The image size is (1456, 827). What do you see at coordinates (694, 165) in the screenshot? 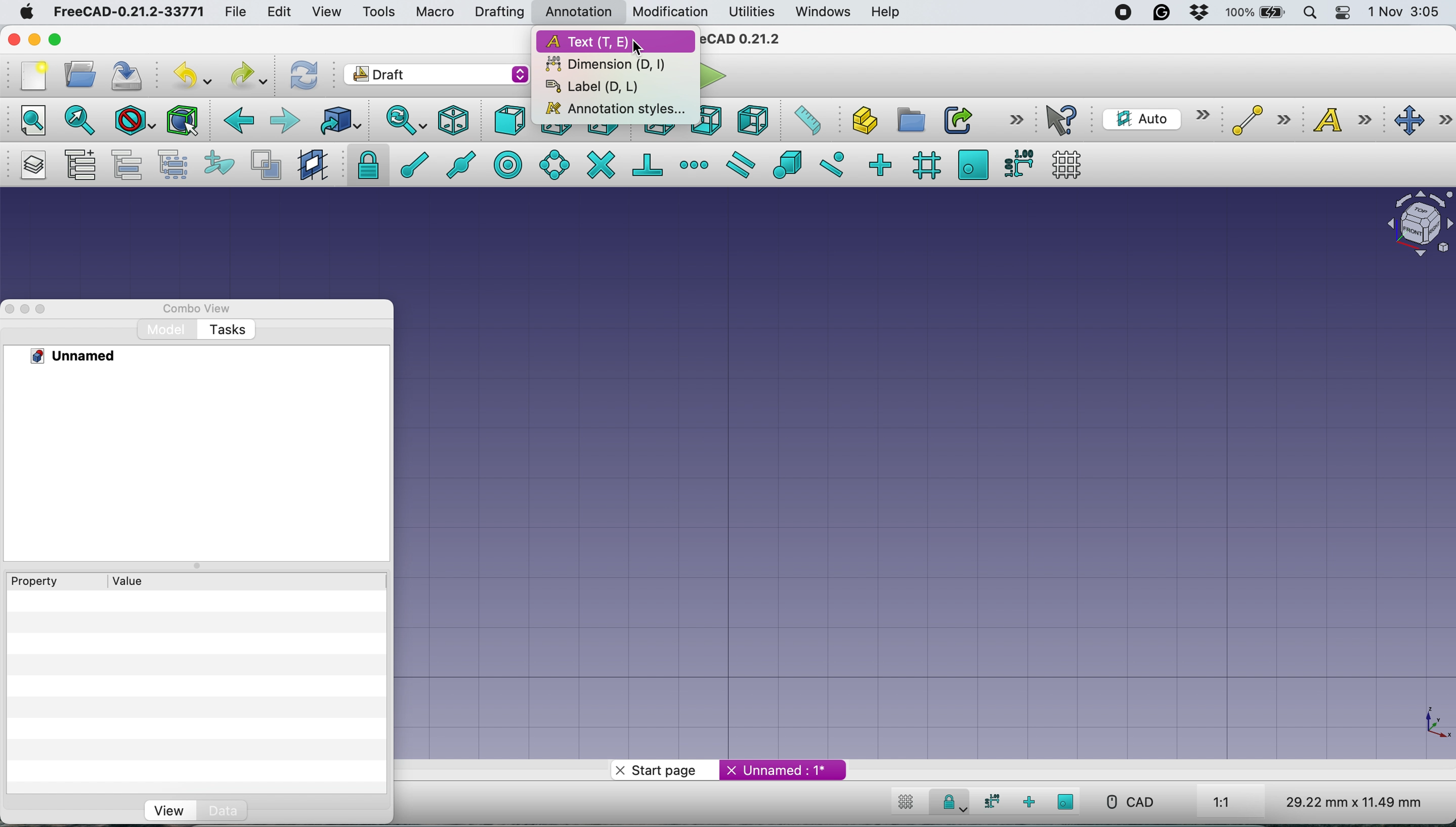
I see `snap extension` at bounding box center [694, 165].